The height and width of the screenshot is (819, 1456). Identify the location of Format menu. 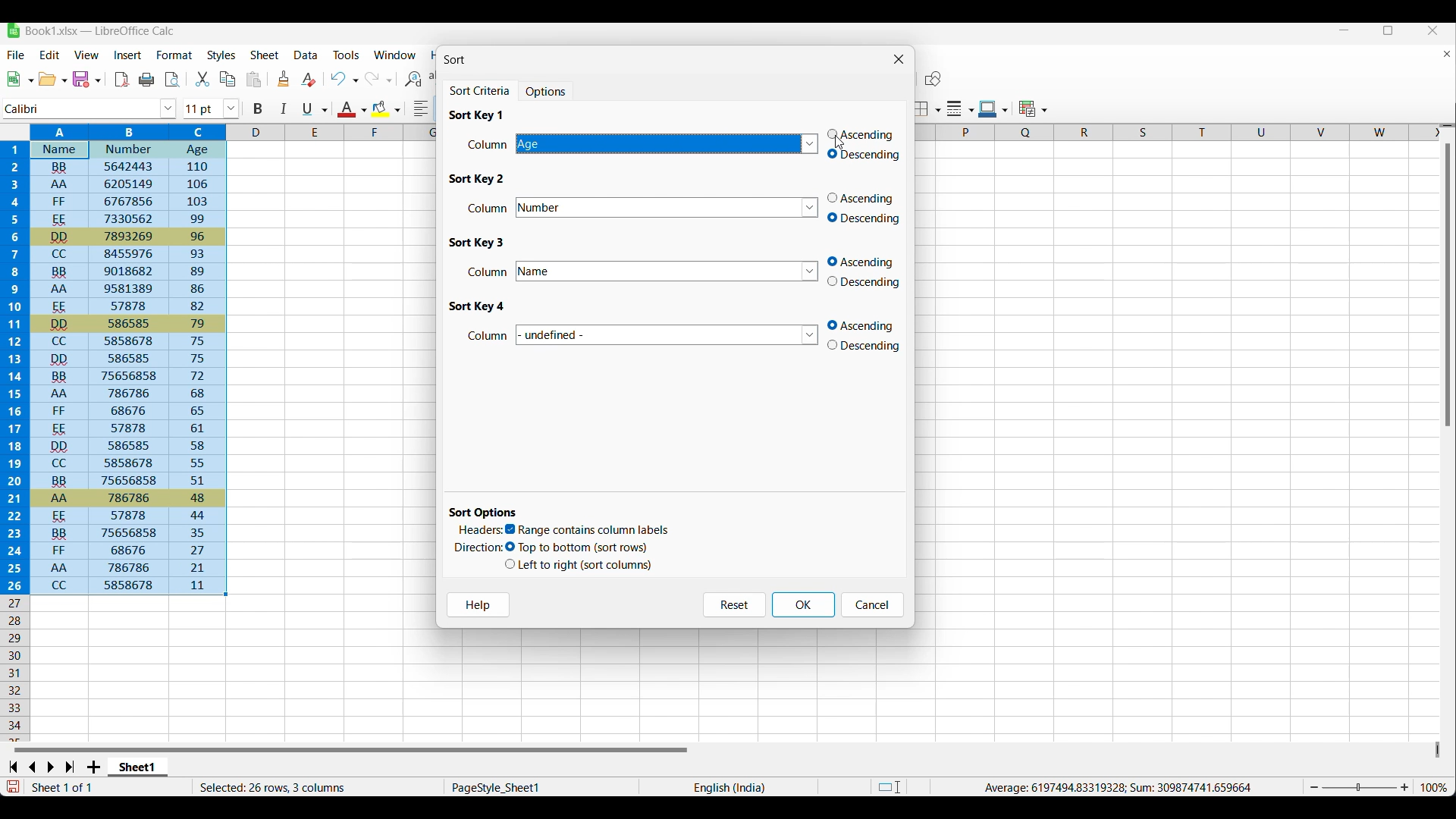
(174, 55).